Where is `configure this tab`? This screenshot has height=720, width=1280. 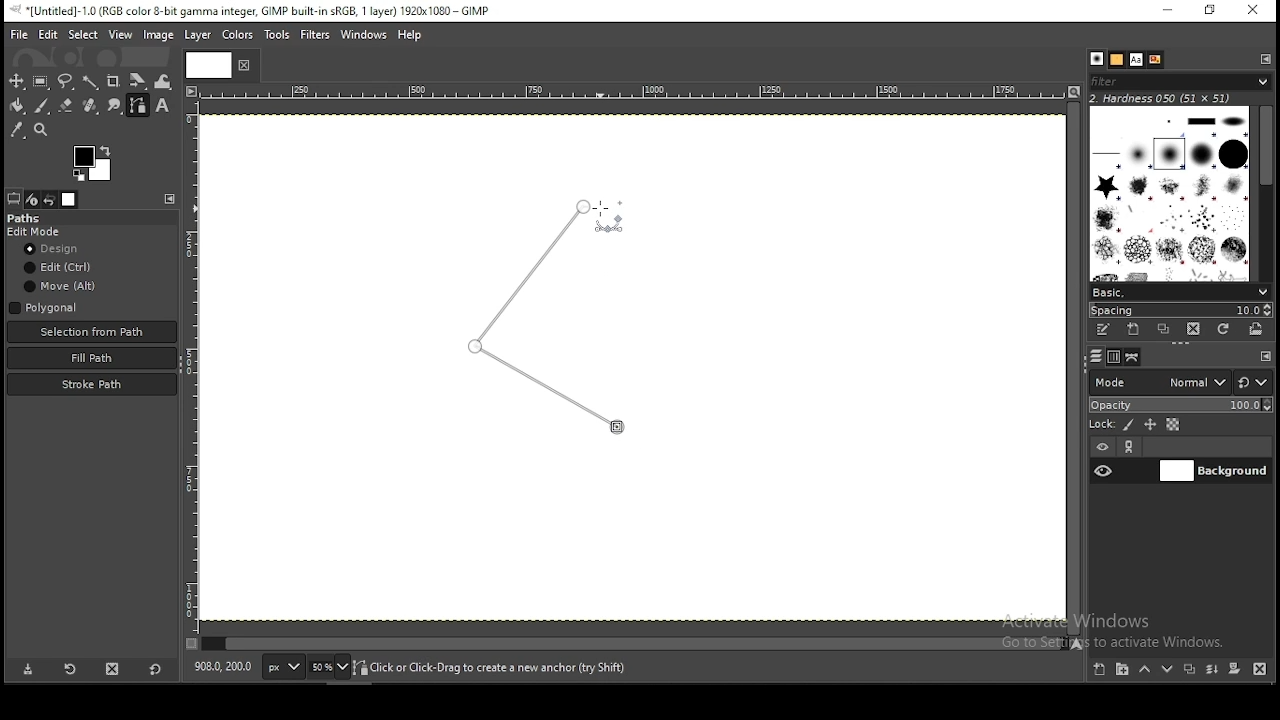 configure this tab is located at coordinates (172, 199).